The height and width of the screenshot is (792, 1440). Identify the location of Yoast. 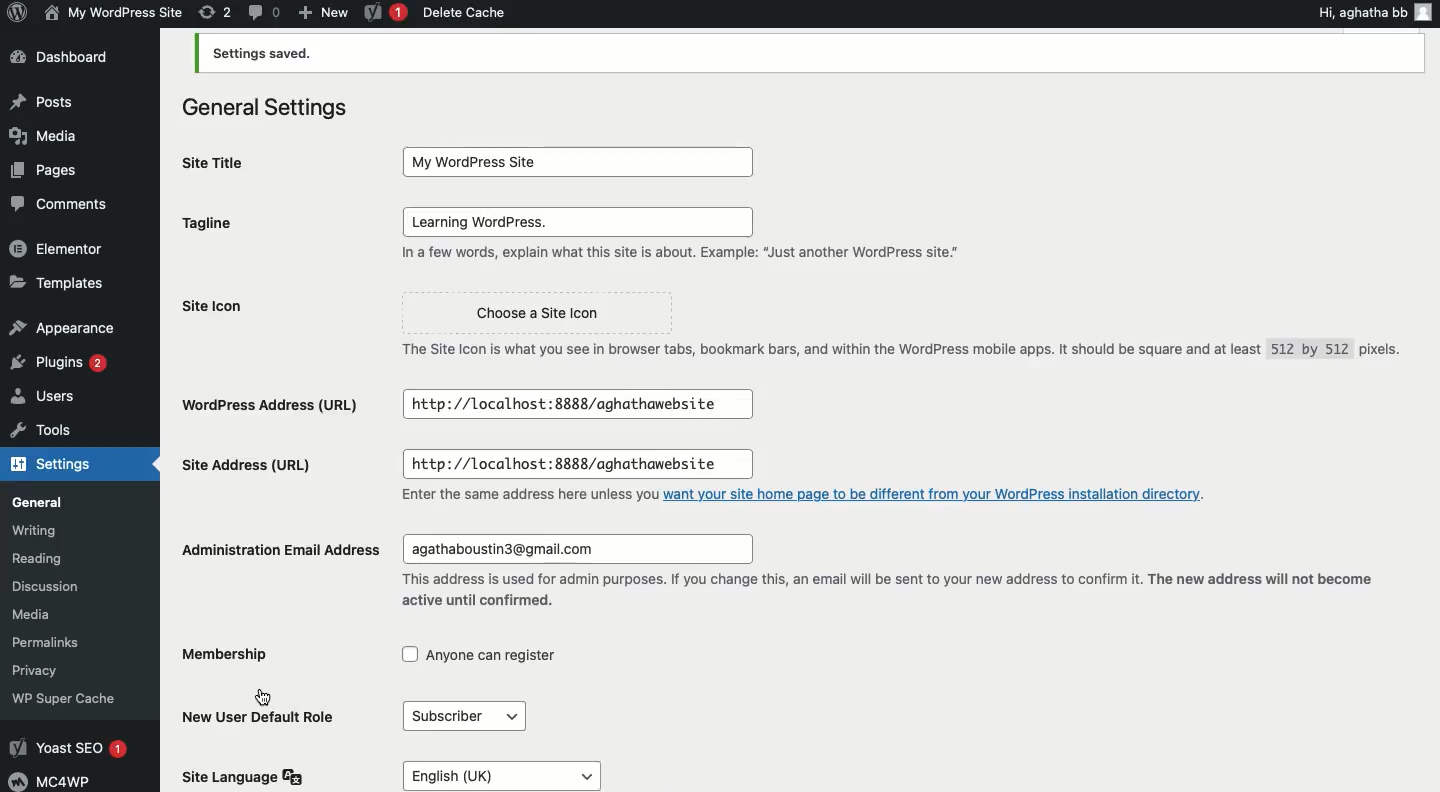
(382, 14).